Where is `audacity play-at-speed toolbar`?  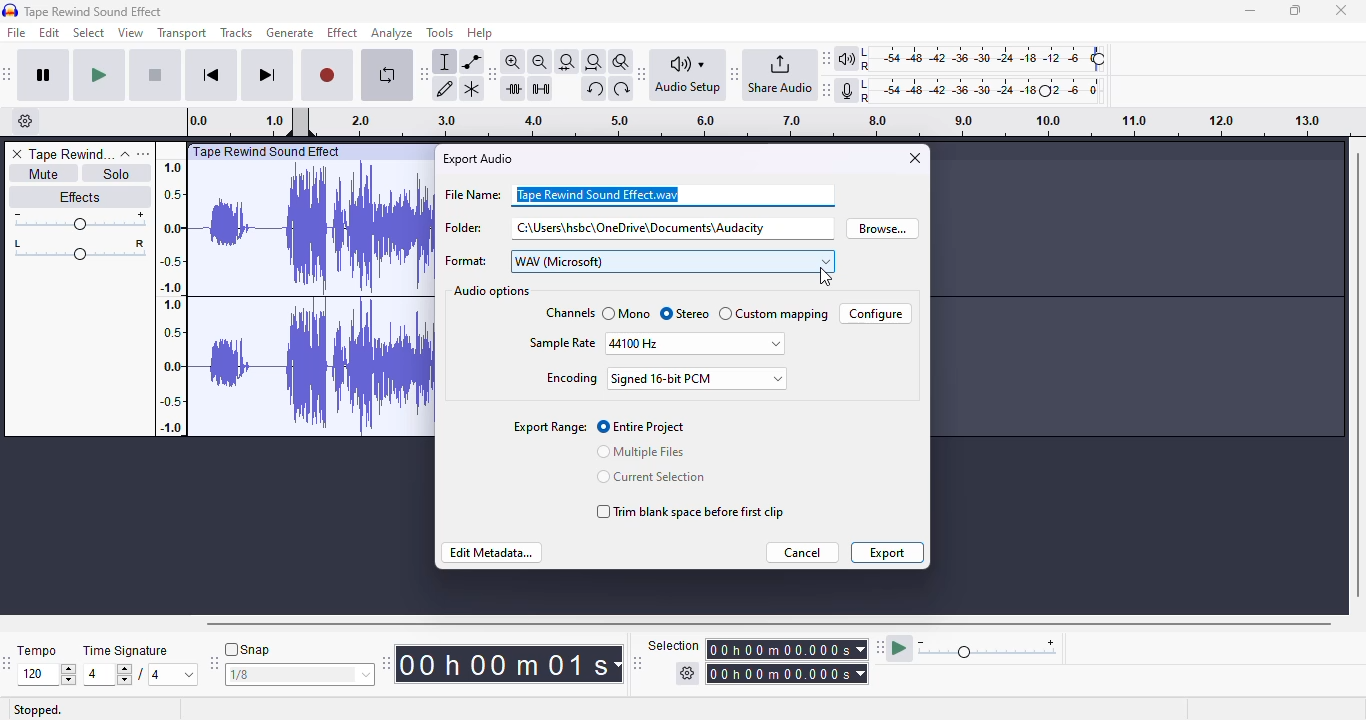
audacity play-at-speed toolbar is located at coordinates (971, 645).